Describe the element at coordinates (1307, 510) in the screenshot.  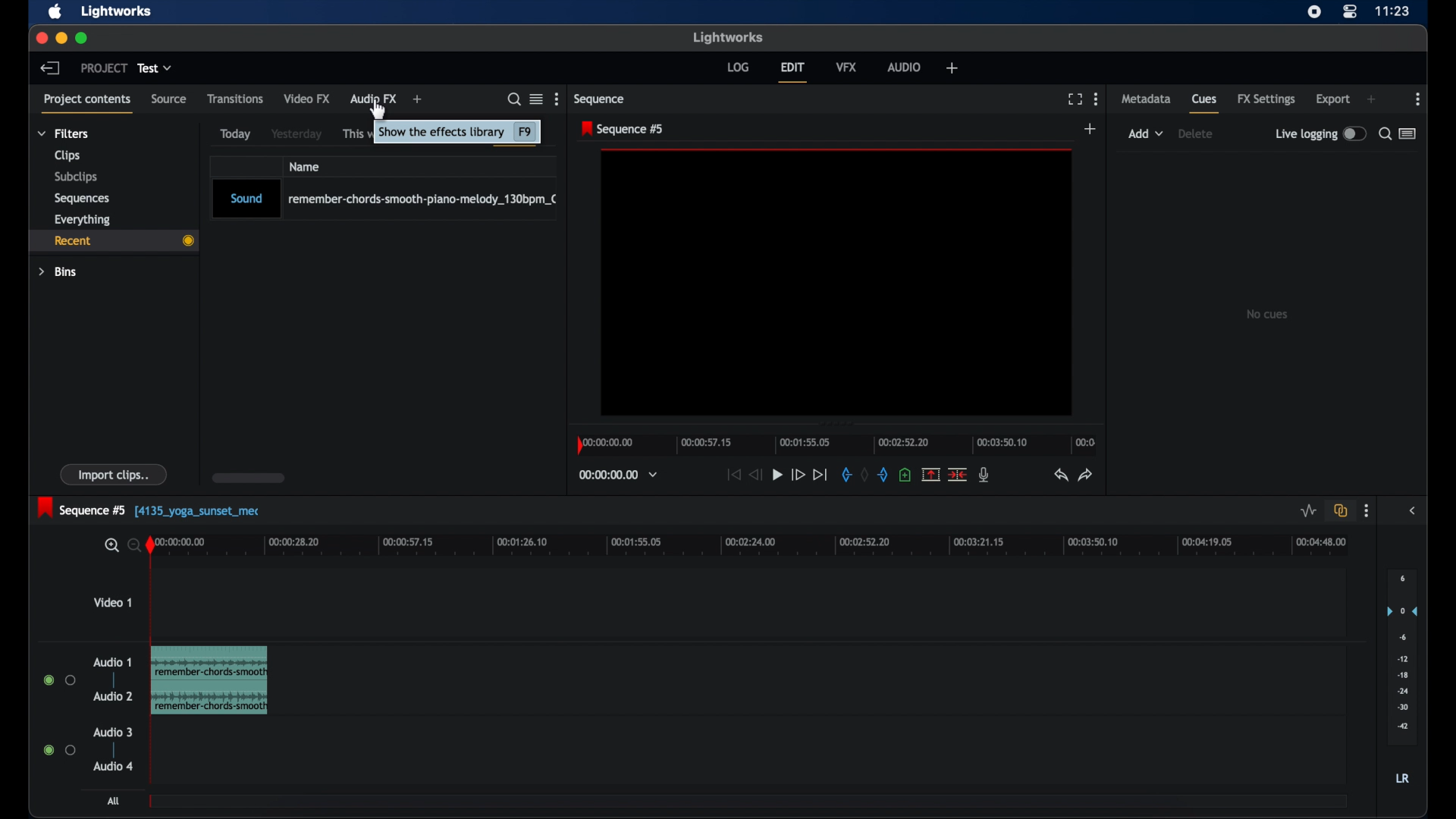
I see `toggle audio levels editing` at that location.